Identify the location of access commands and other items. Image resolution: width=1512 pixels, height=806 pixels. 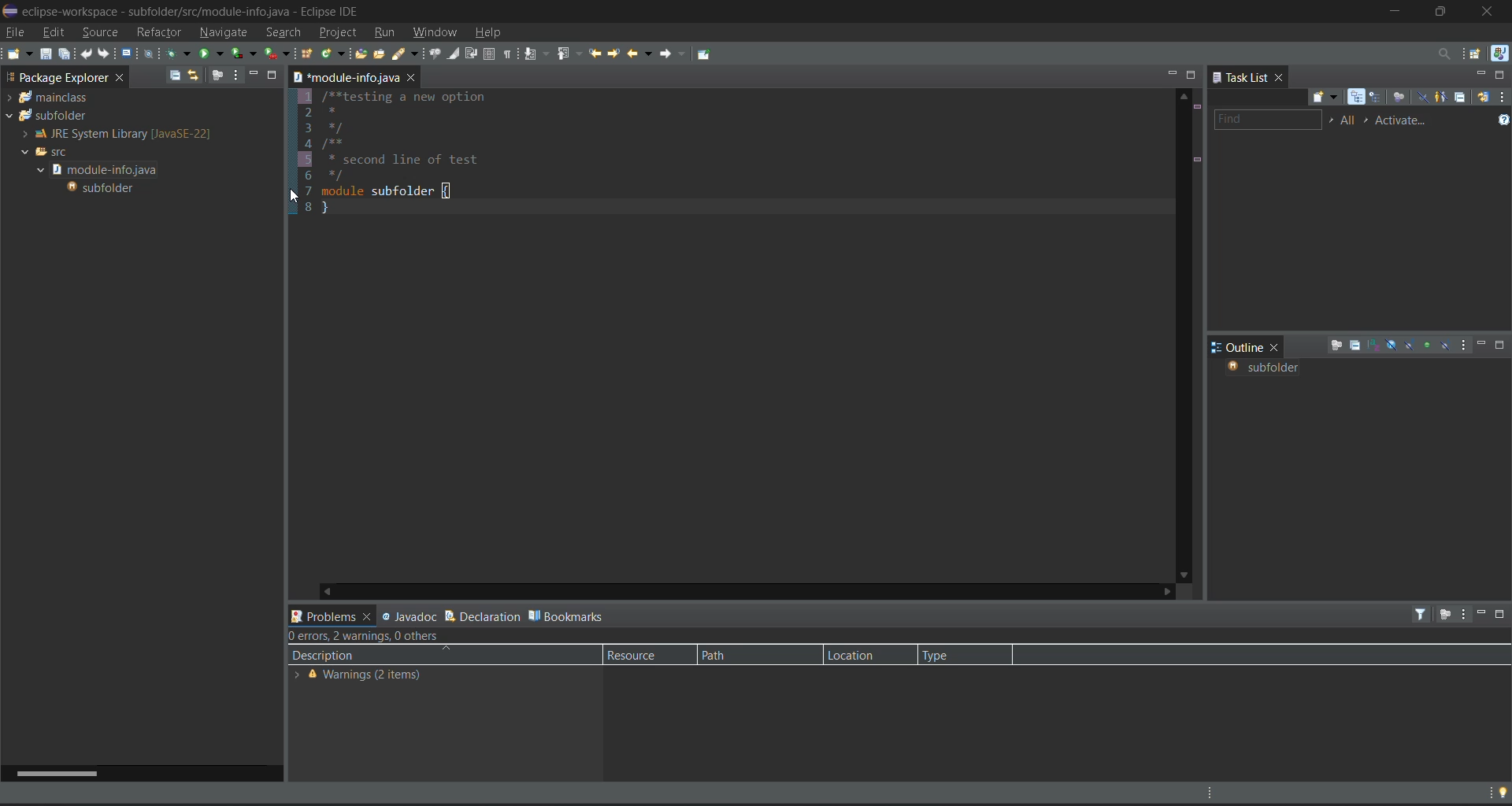
(1443, 54).